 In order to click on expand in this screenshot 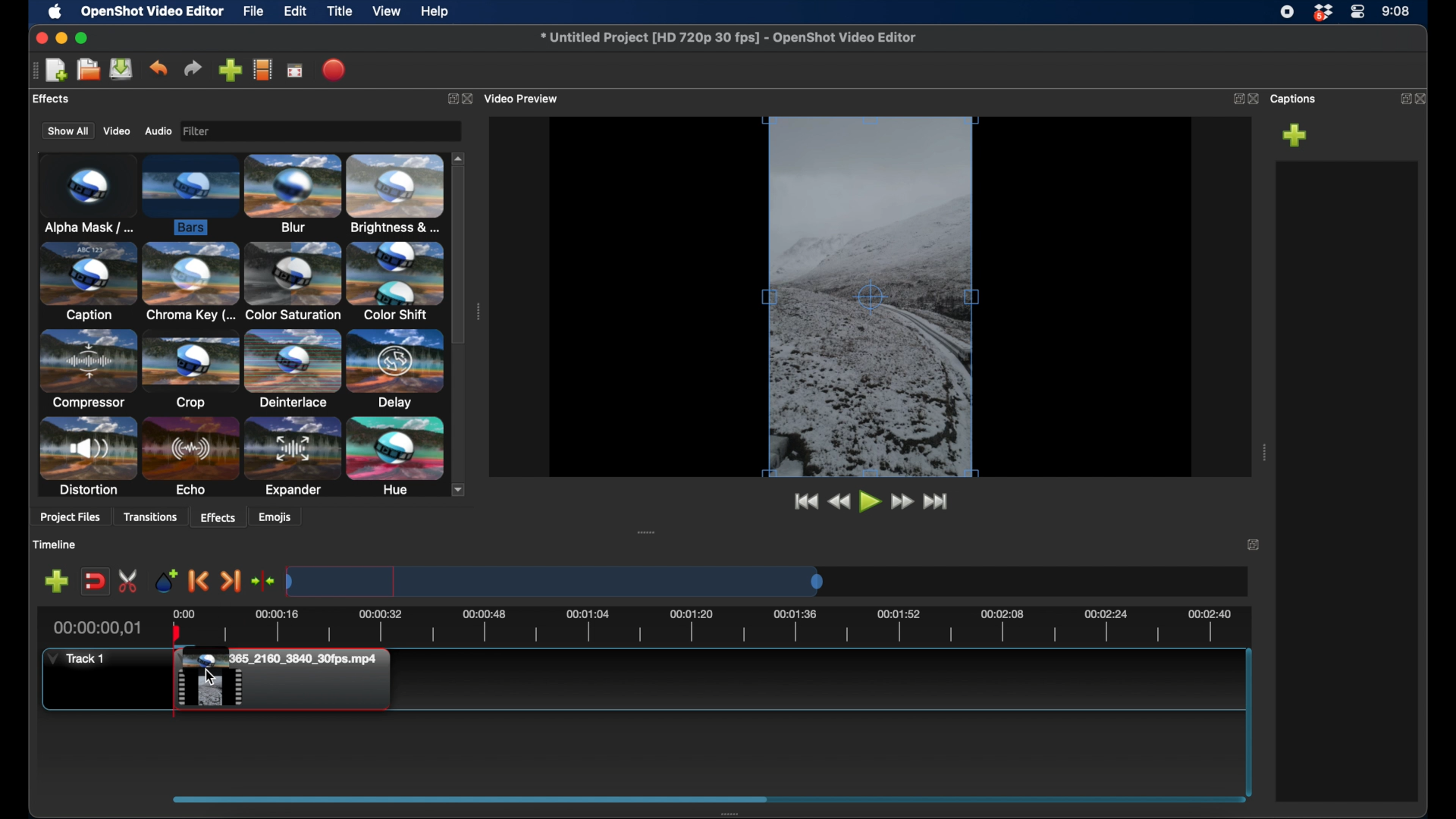, I will do `click(450, 98)`.